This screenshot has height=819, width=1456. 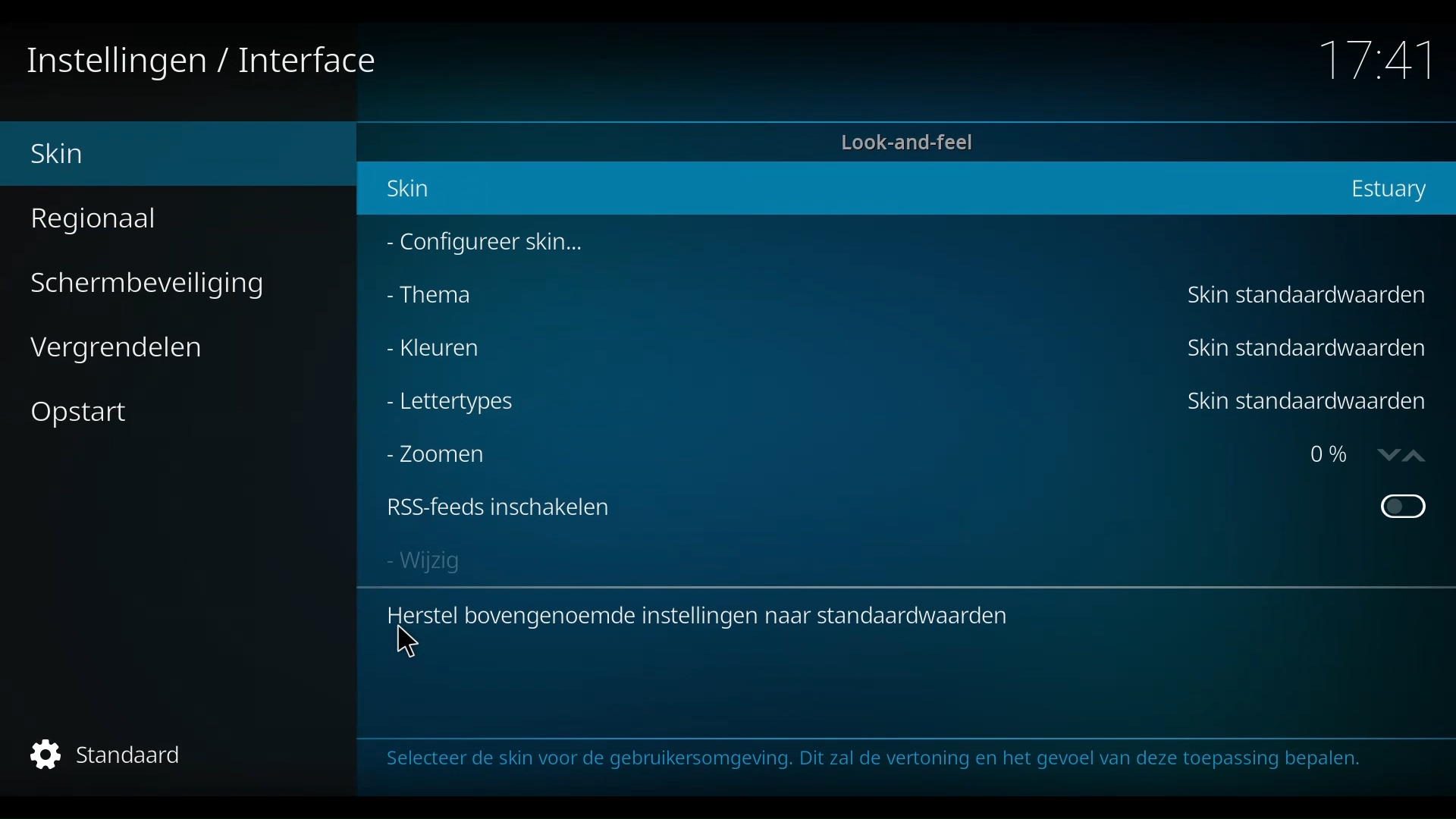 I want to click on RSS-feed inschakelen, so click(x=501, y=509).